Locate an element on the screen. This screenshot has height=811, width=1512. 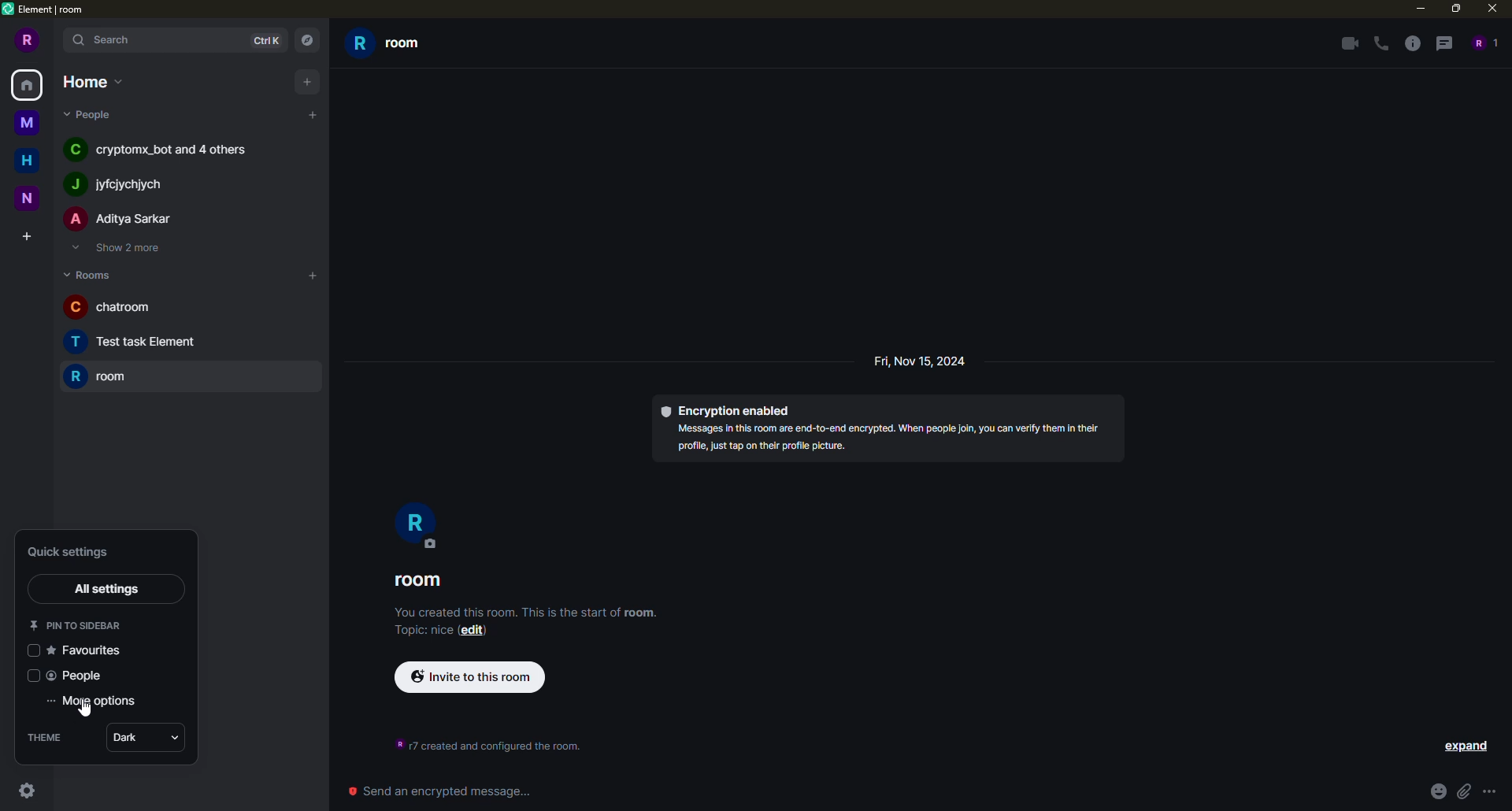
threads is located at coordinates (1447, 43).